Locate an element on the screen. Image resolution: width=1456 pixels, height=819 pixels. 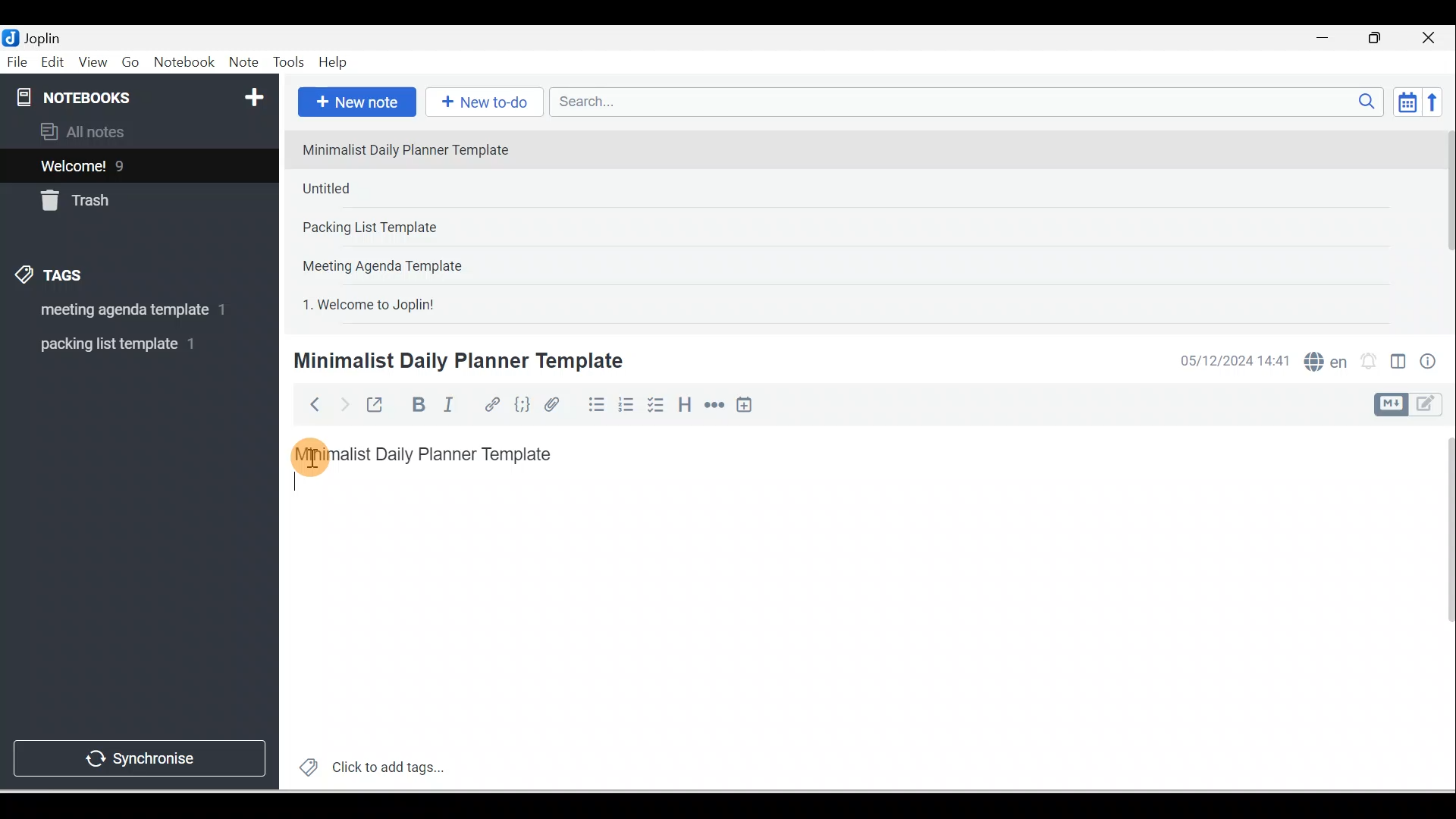
Cursor is located at coordinates (311, 455).